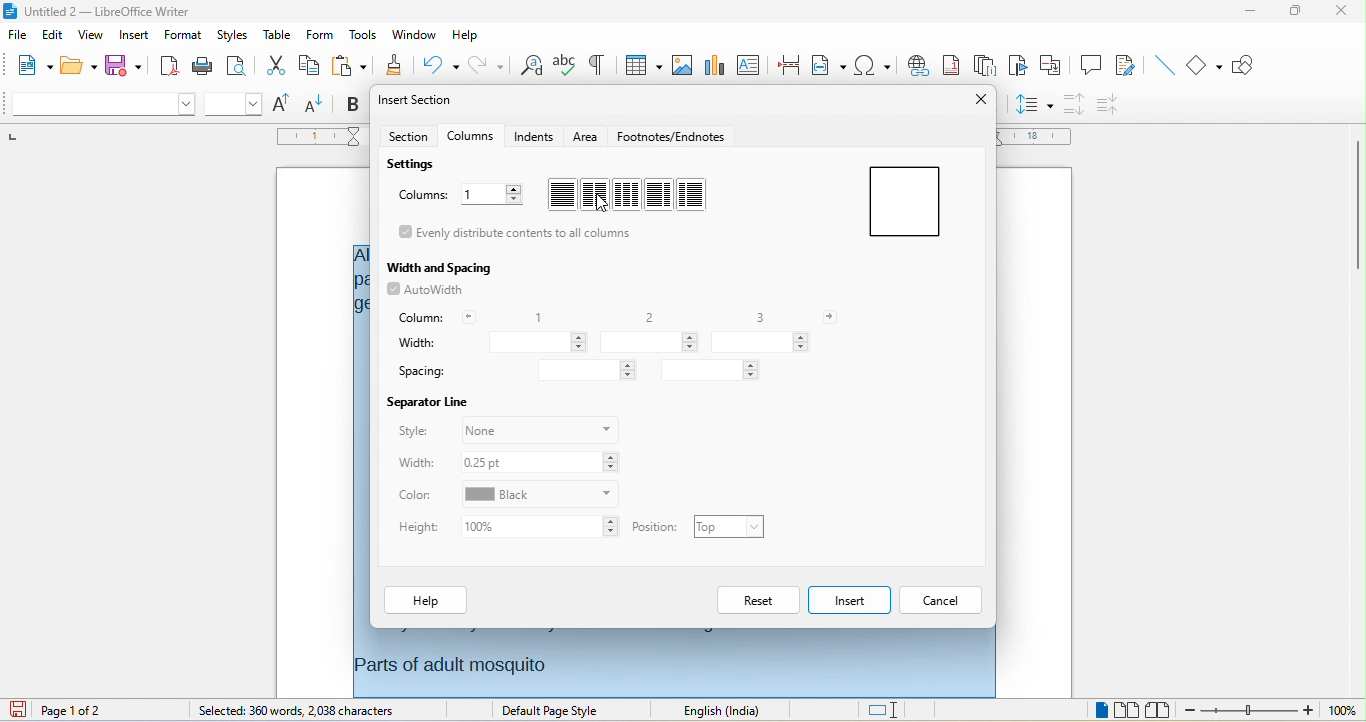 This screenshot has height=722, width=1366. I want to click on auto width, so click(427, 292).